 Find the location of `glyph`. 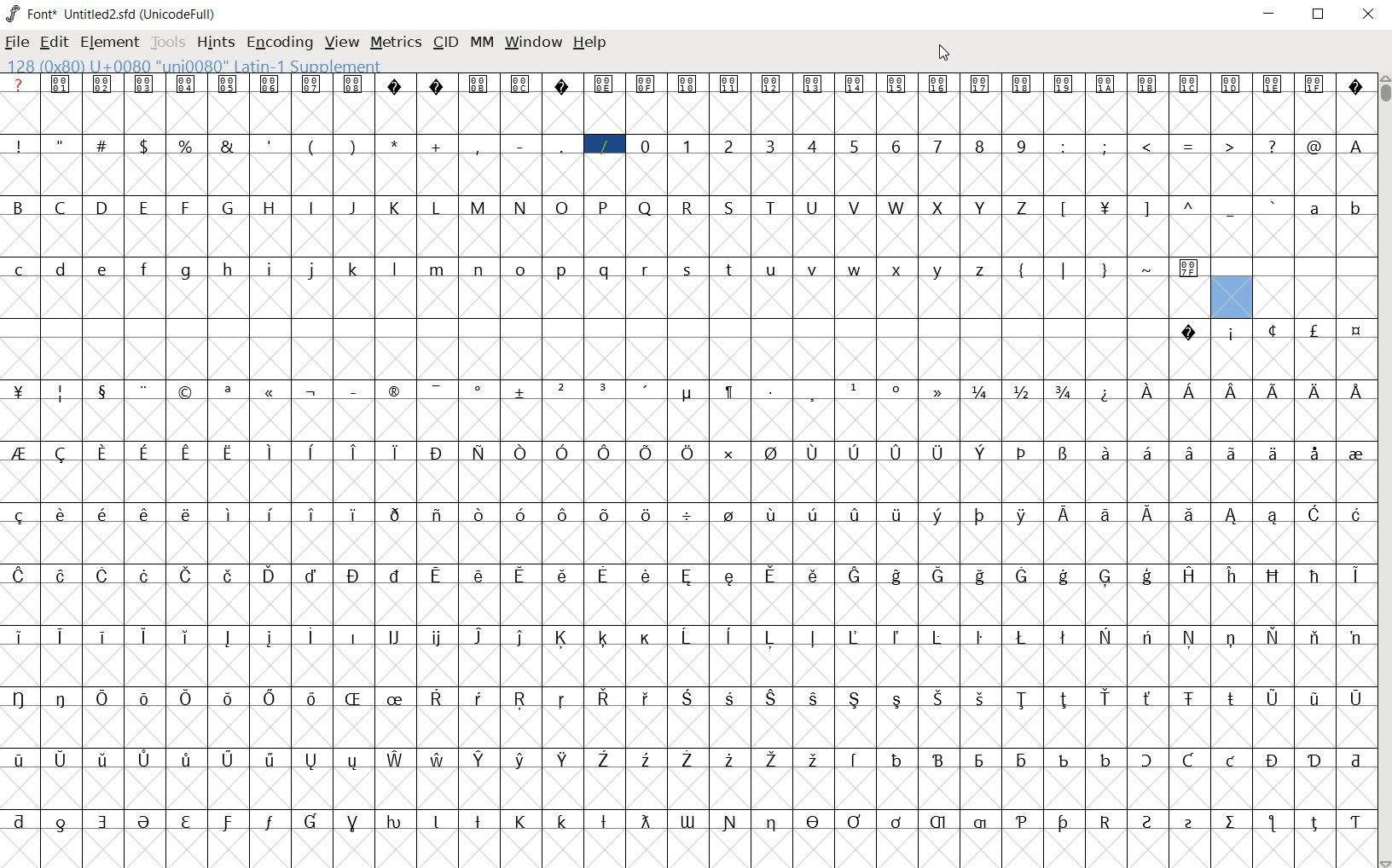

glyph is located at coordinates (1271, 823).